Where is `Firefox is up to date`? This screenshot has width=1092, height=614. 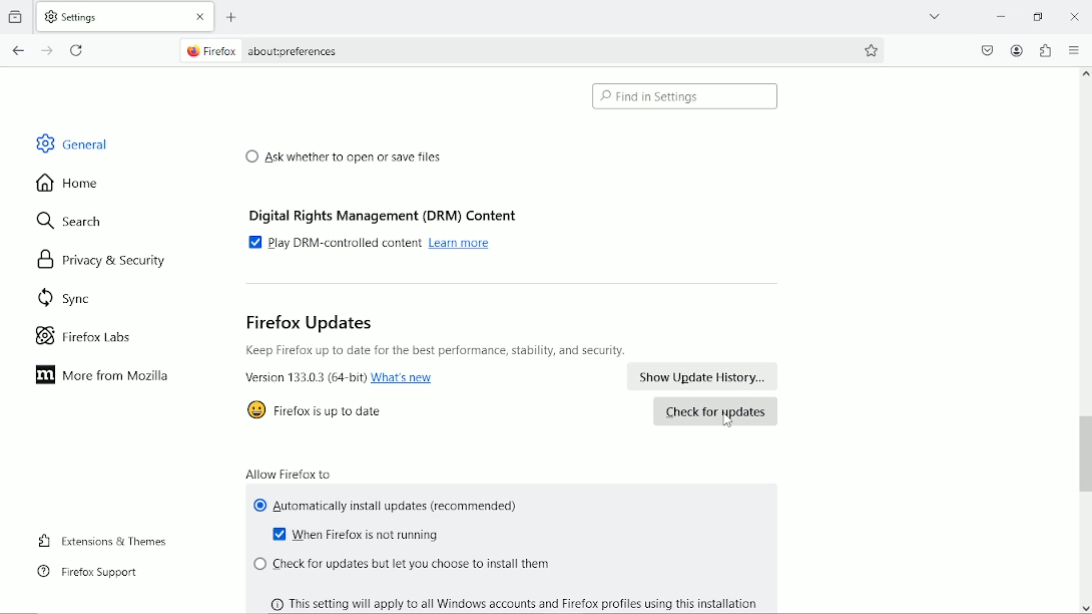
Firefox is up to date is located at coordinates (331, 412).